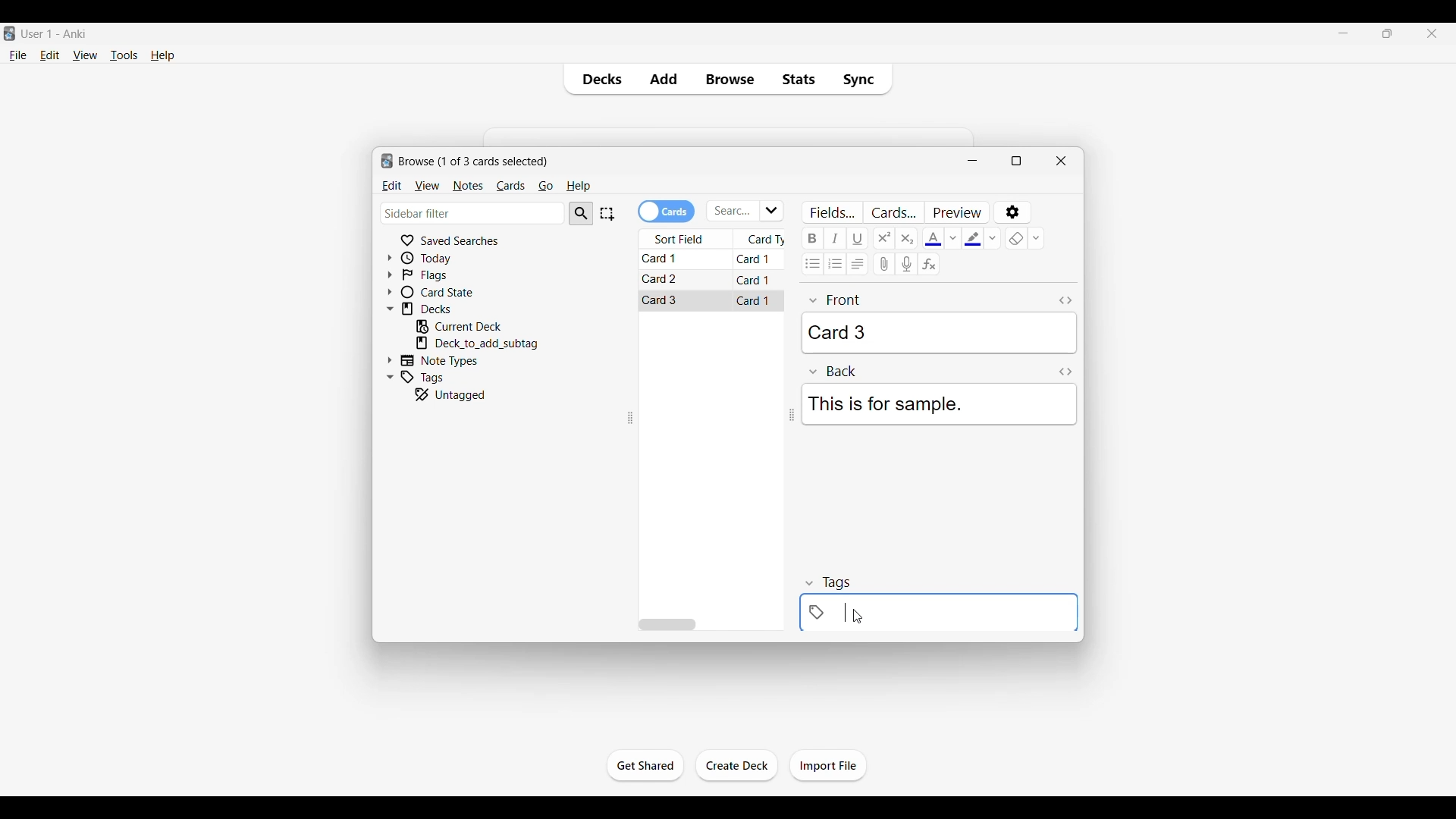 Image resolution: width=1456 pixels, height=819 pixels. I want to click on Edit menu, so click(392, 187).